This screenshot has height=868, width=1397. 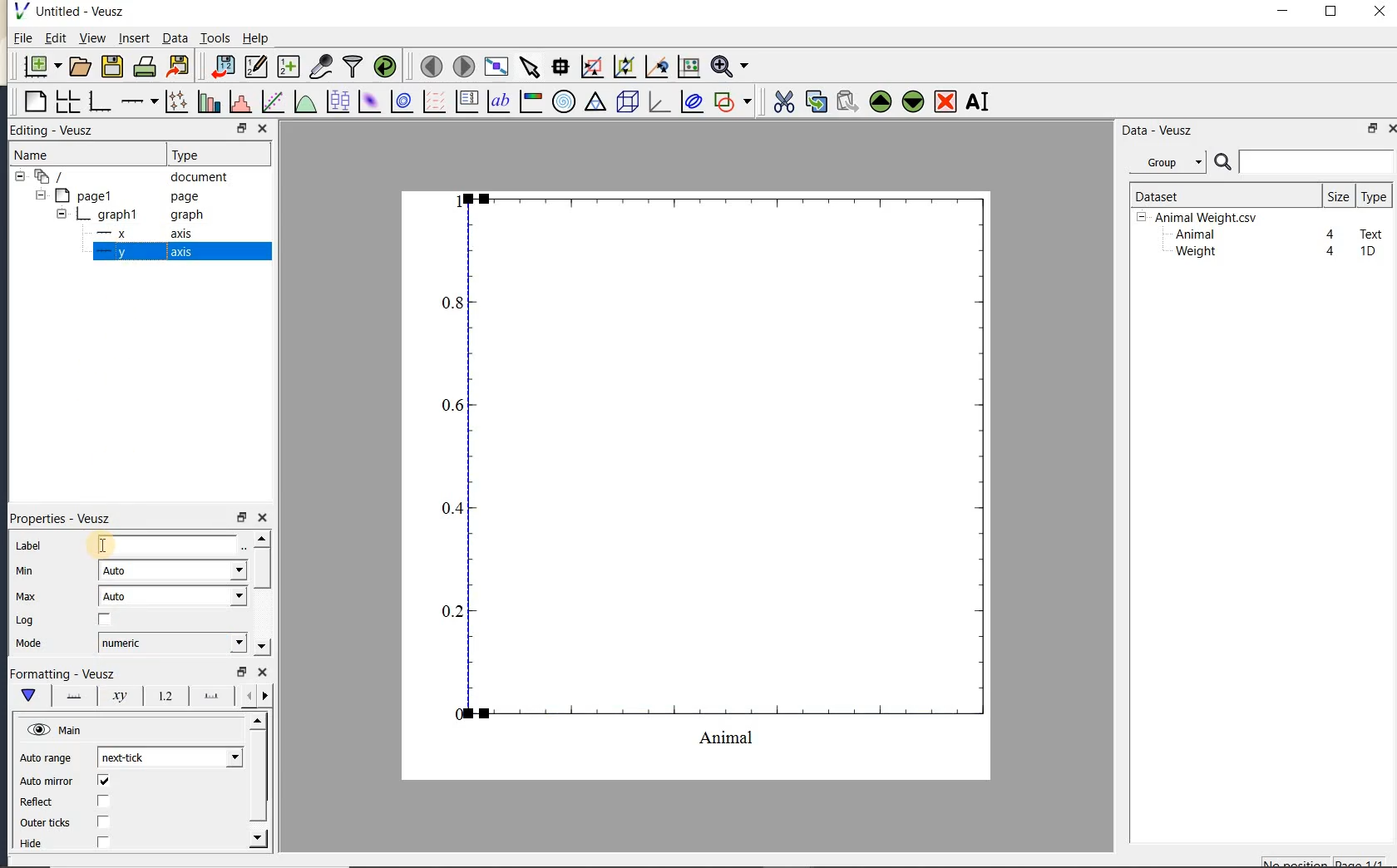 I want to click on scrollbar, so click(x=259, y=781).